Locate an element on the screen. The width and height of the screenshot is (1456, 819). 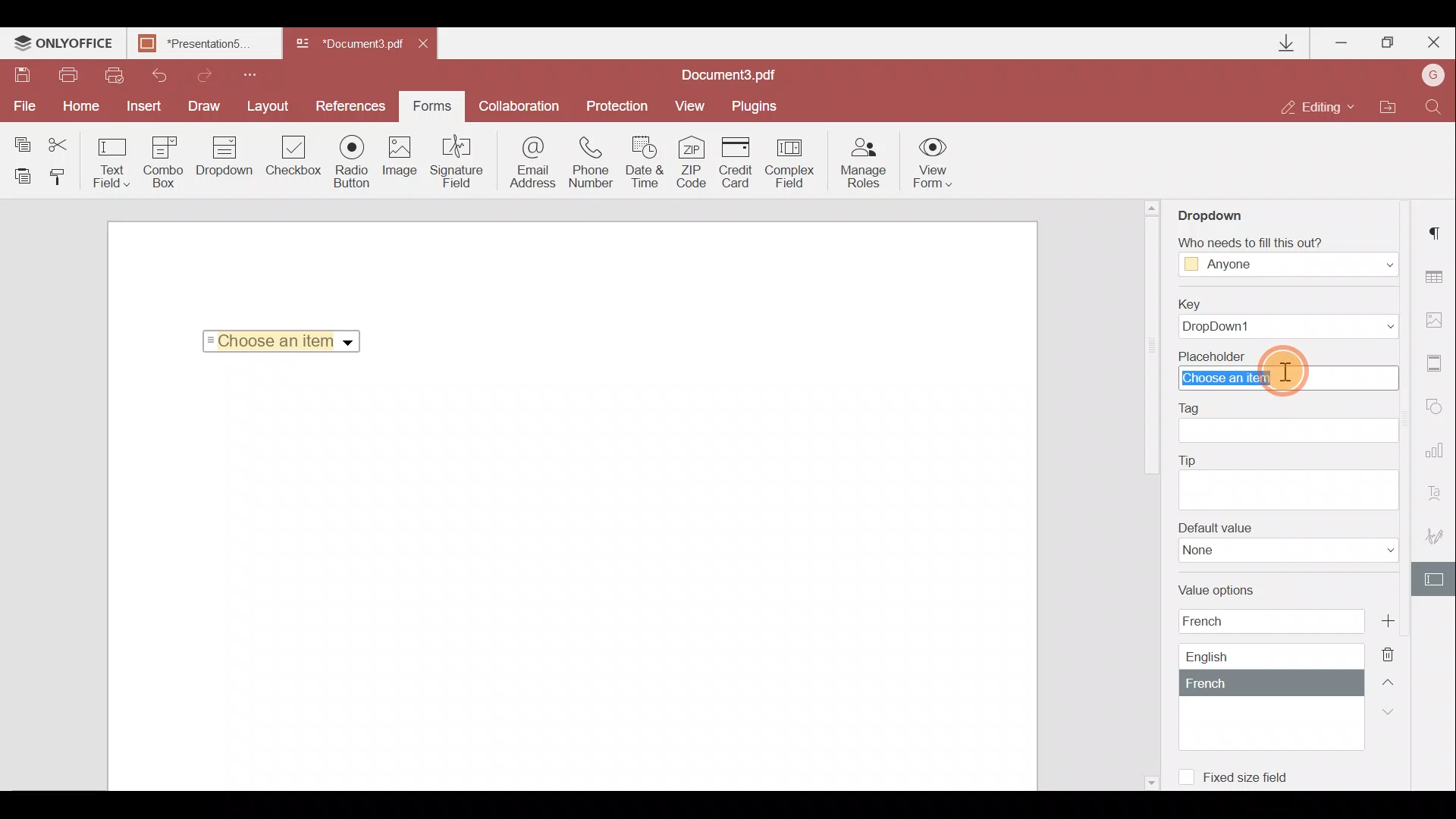
Key is located at coordinates (1282, 318).